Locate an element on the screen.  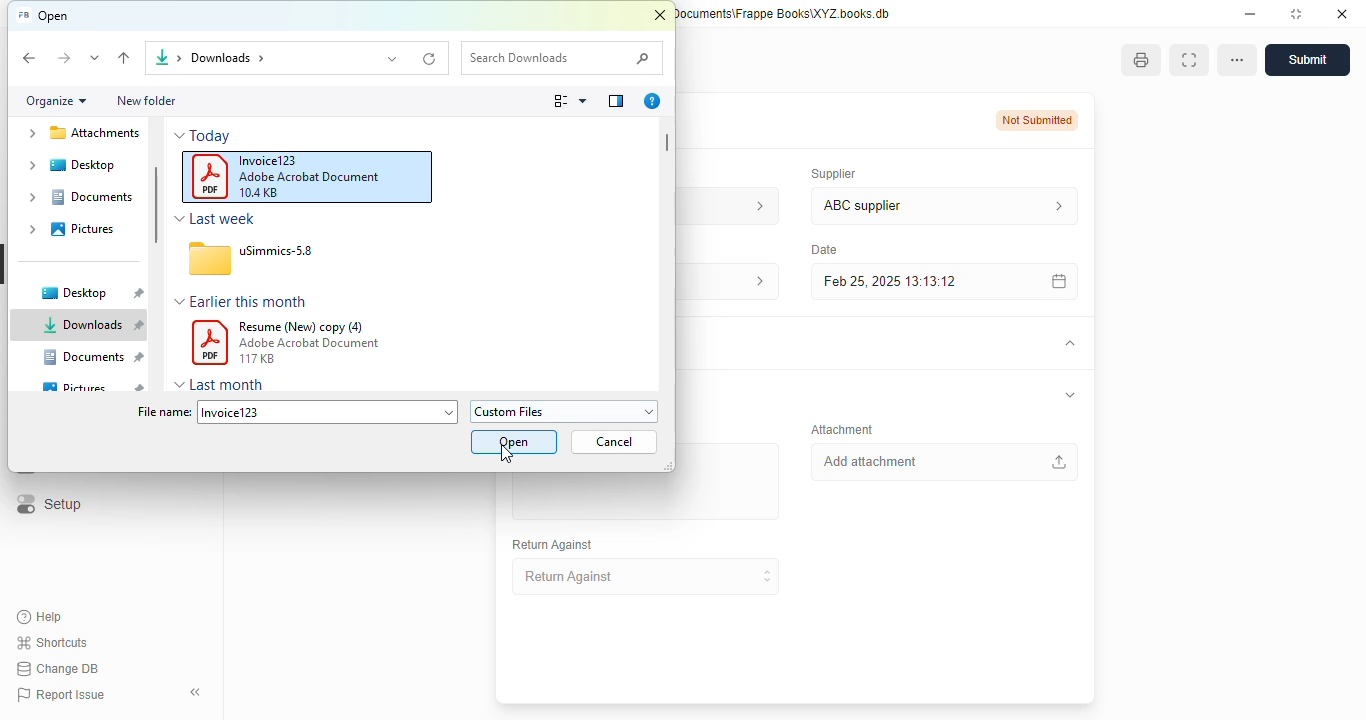
scroll bar is located at coordinates (157, 204).